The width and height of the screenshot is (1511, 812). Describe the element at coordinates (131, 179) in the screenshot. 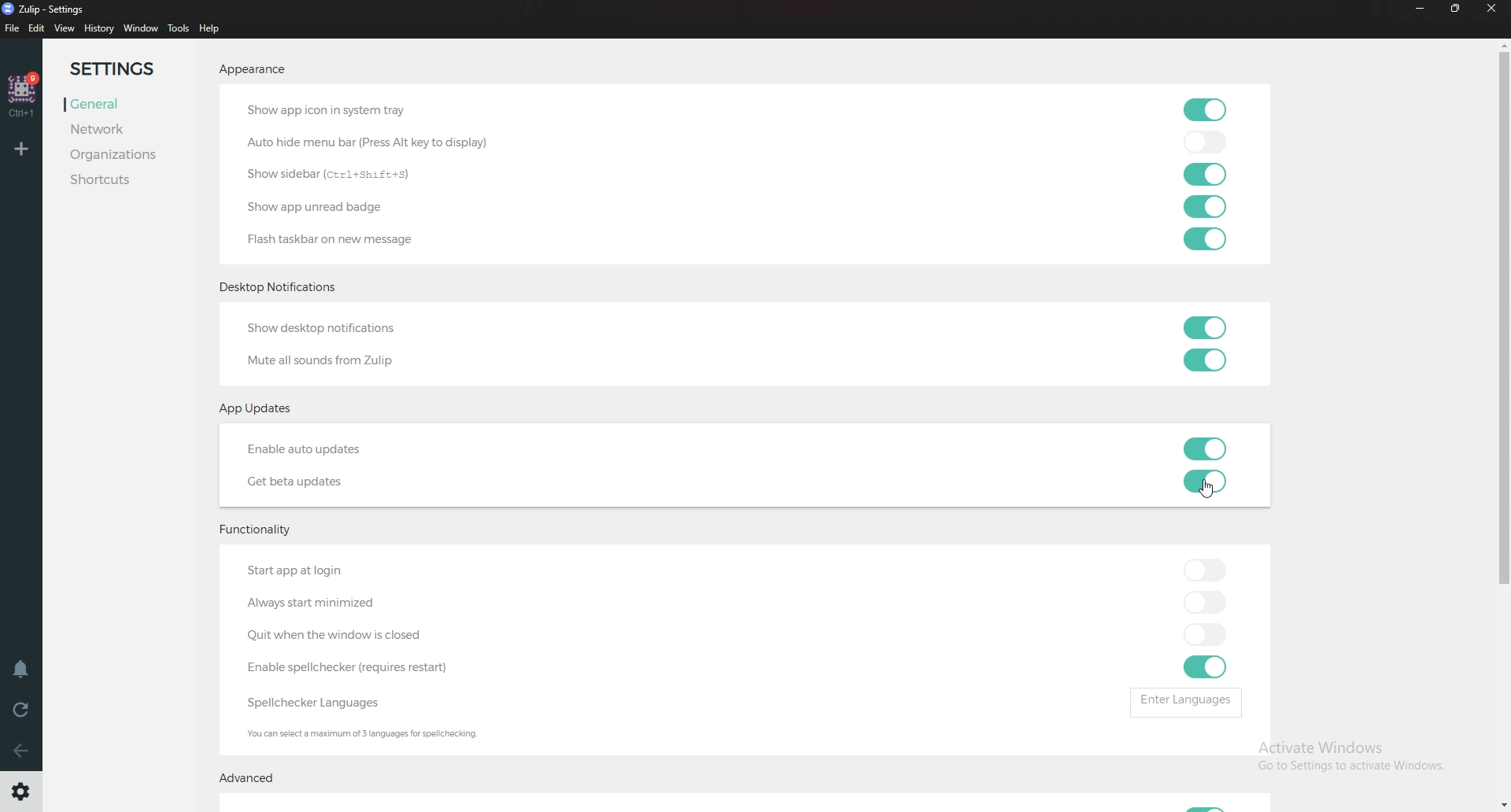

I see `Shortcuts` at that location.